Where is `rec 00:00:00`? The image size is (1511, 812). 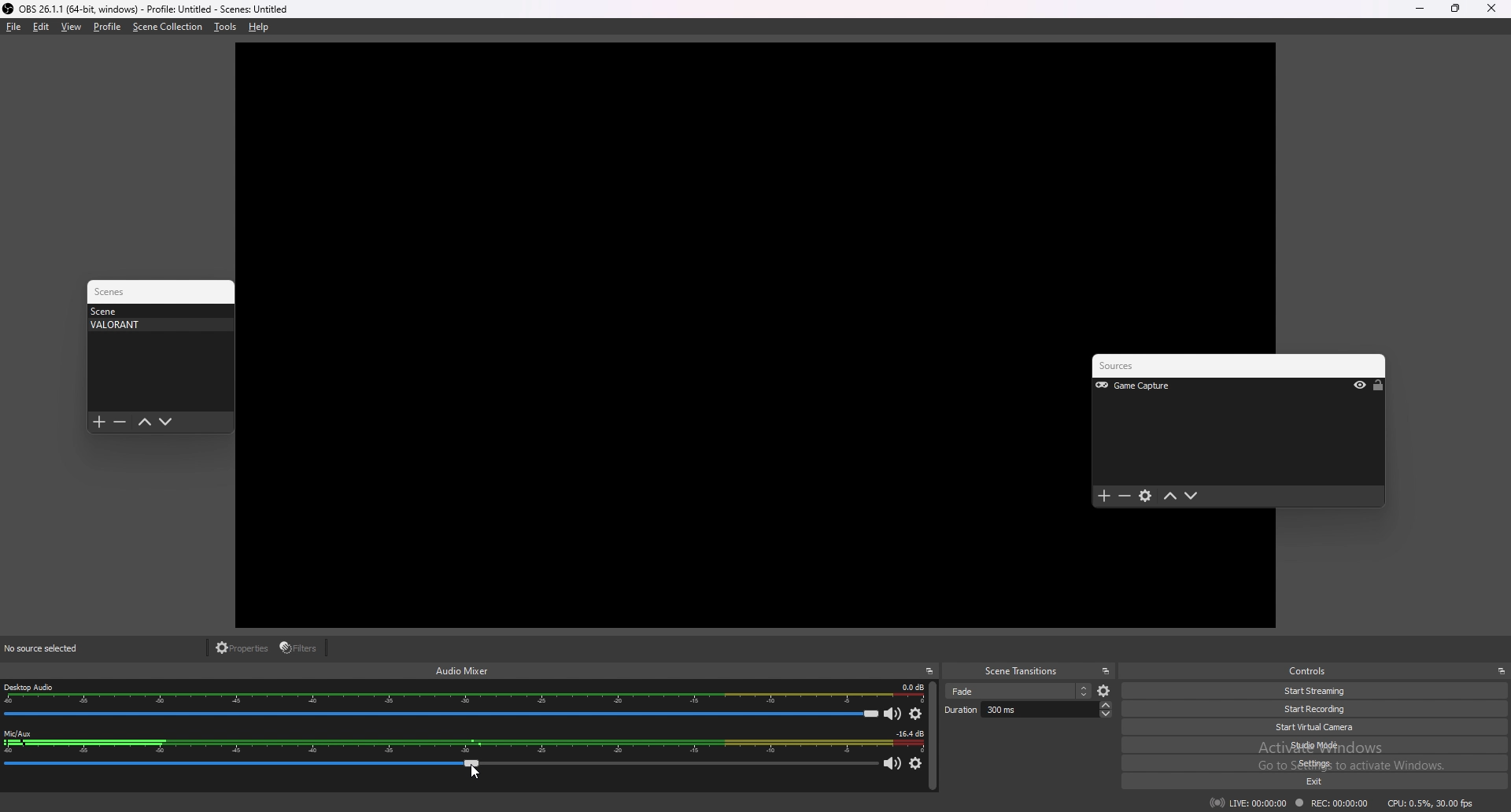
rec 00:00:00 is located at coordinates (1330, 804).